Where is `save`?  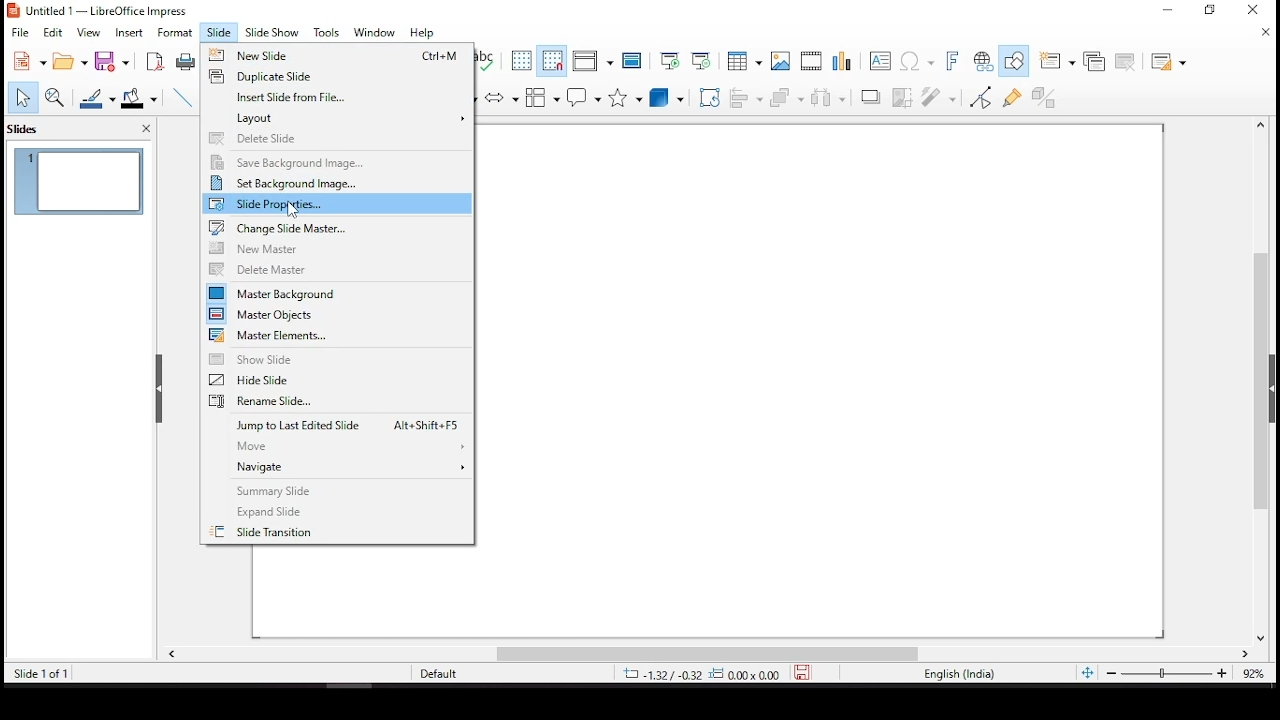
save is located at coordinates (809, 673).